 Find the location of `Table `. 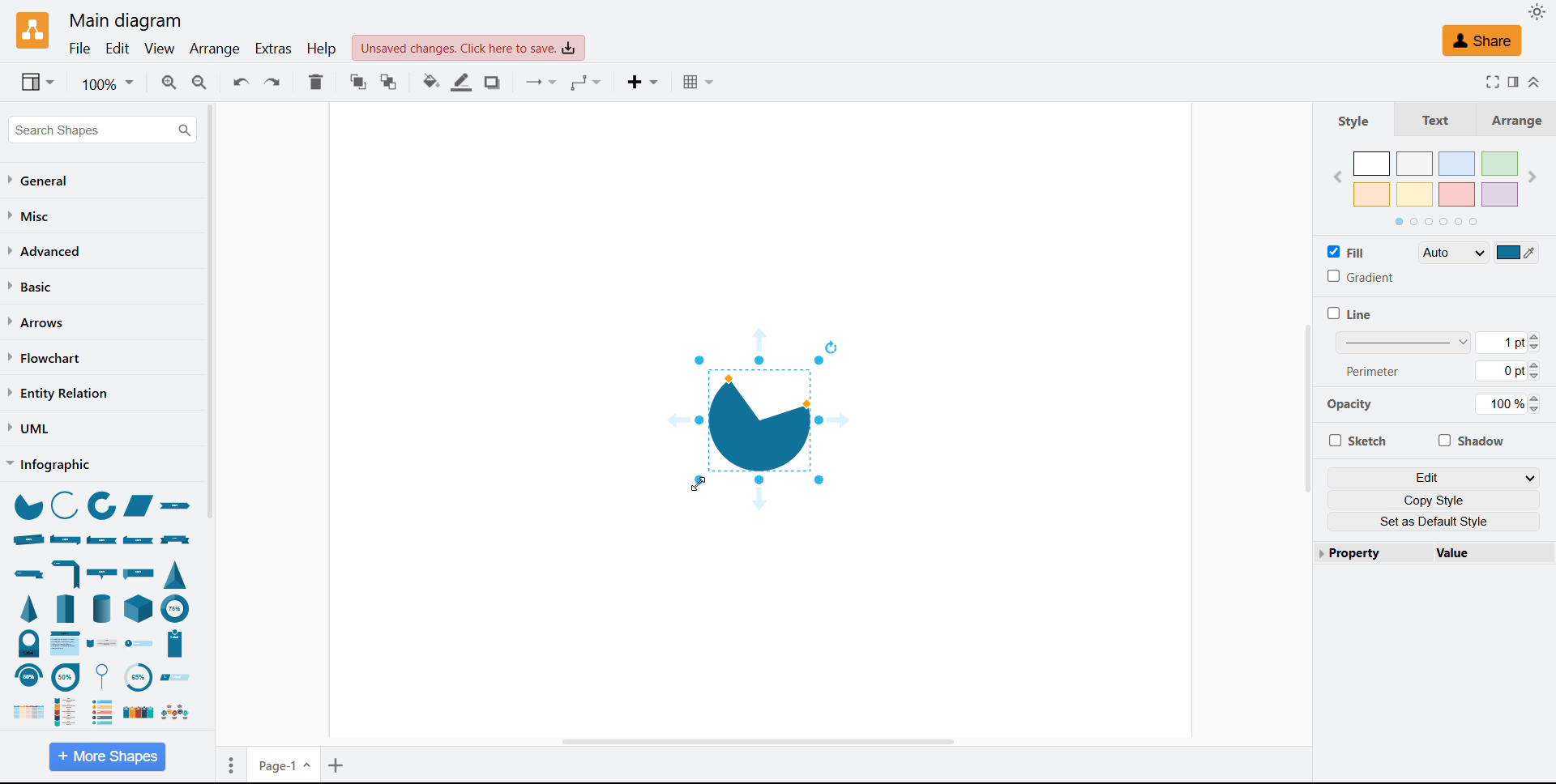

Table  is located at coordinates (702, 82).